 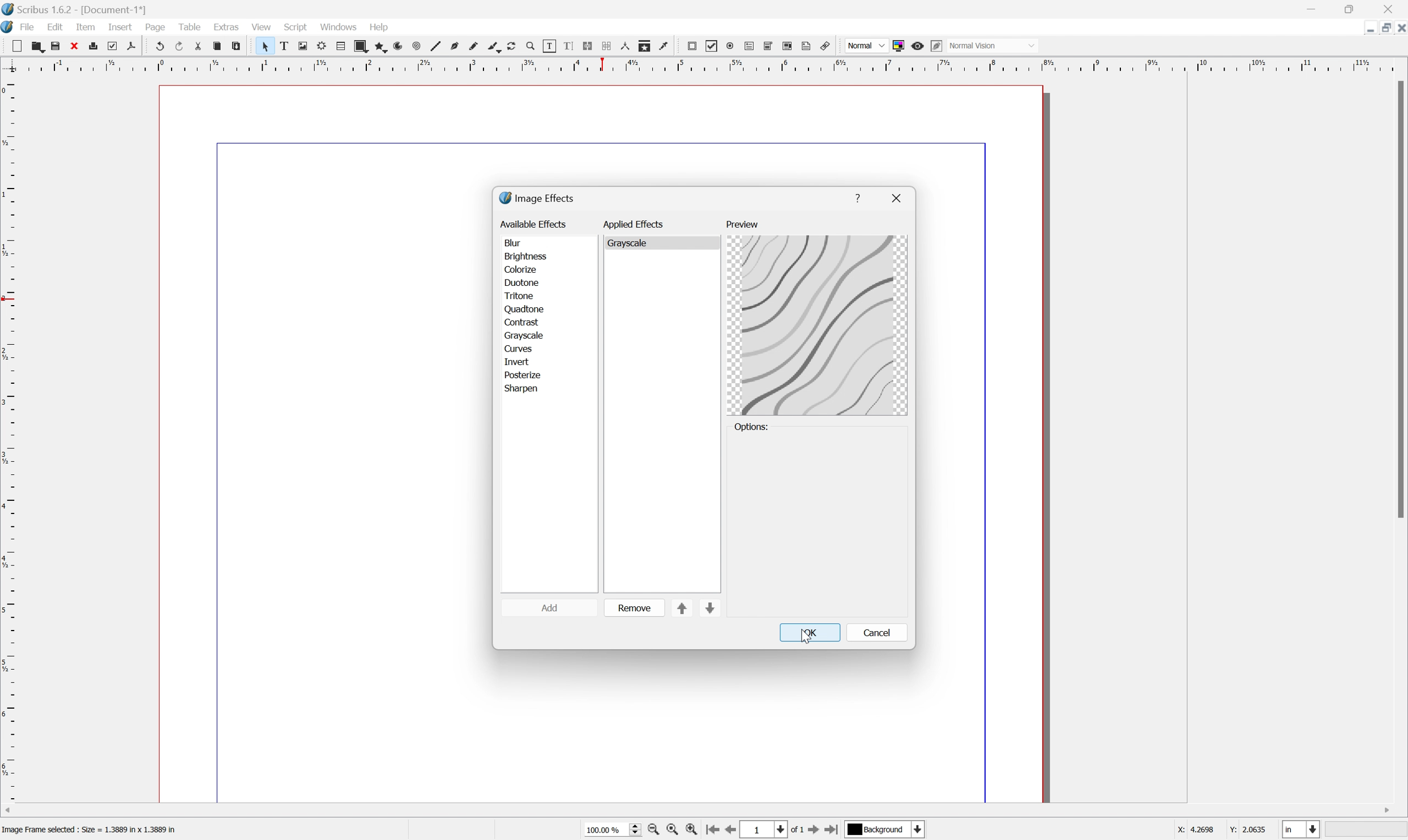 What do you see at coordinates (9, 27) in the screenshot?
I see `Scribus icon` at bounding box center [9, 27].